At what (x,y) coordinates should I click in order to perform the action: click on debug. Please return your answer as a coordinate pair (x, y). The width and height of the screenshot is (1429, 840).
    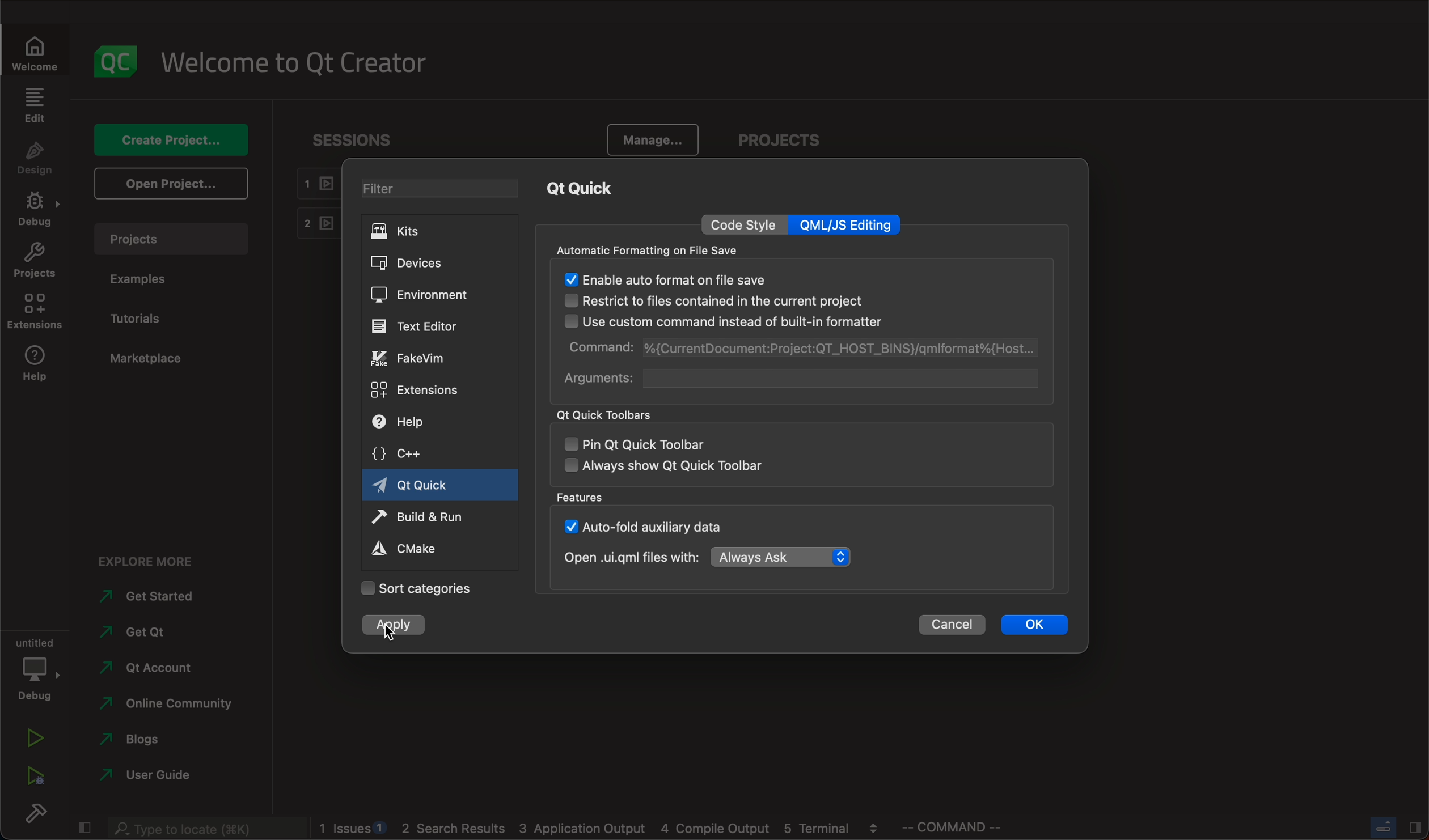
    Looking at the image, I should click on (36, 210).